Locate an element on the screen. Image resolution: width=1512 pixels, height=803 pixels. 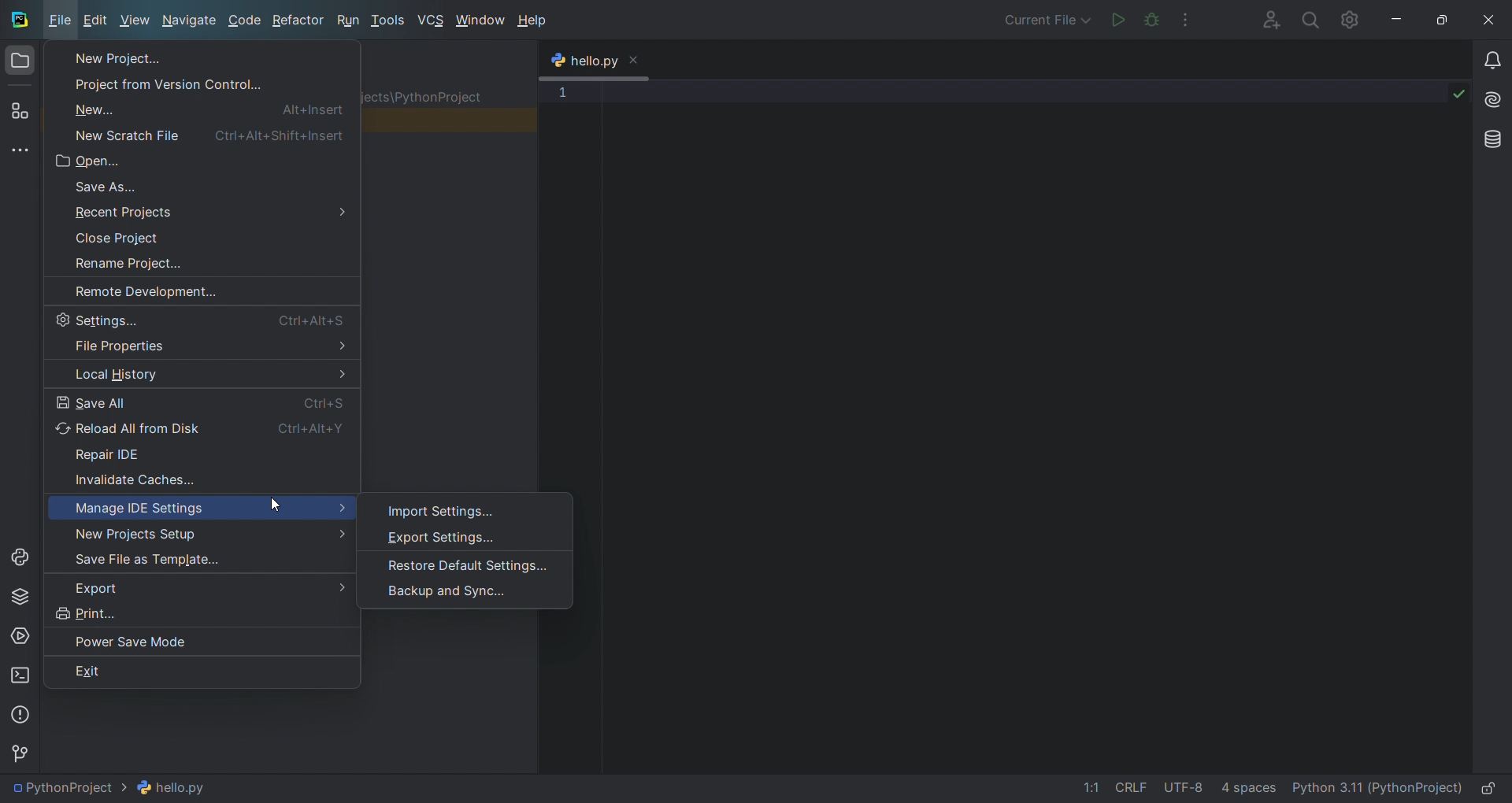
close is located at coordinates (1488, 19).